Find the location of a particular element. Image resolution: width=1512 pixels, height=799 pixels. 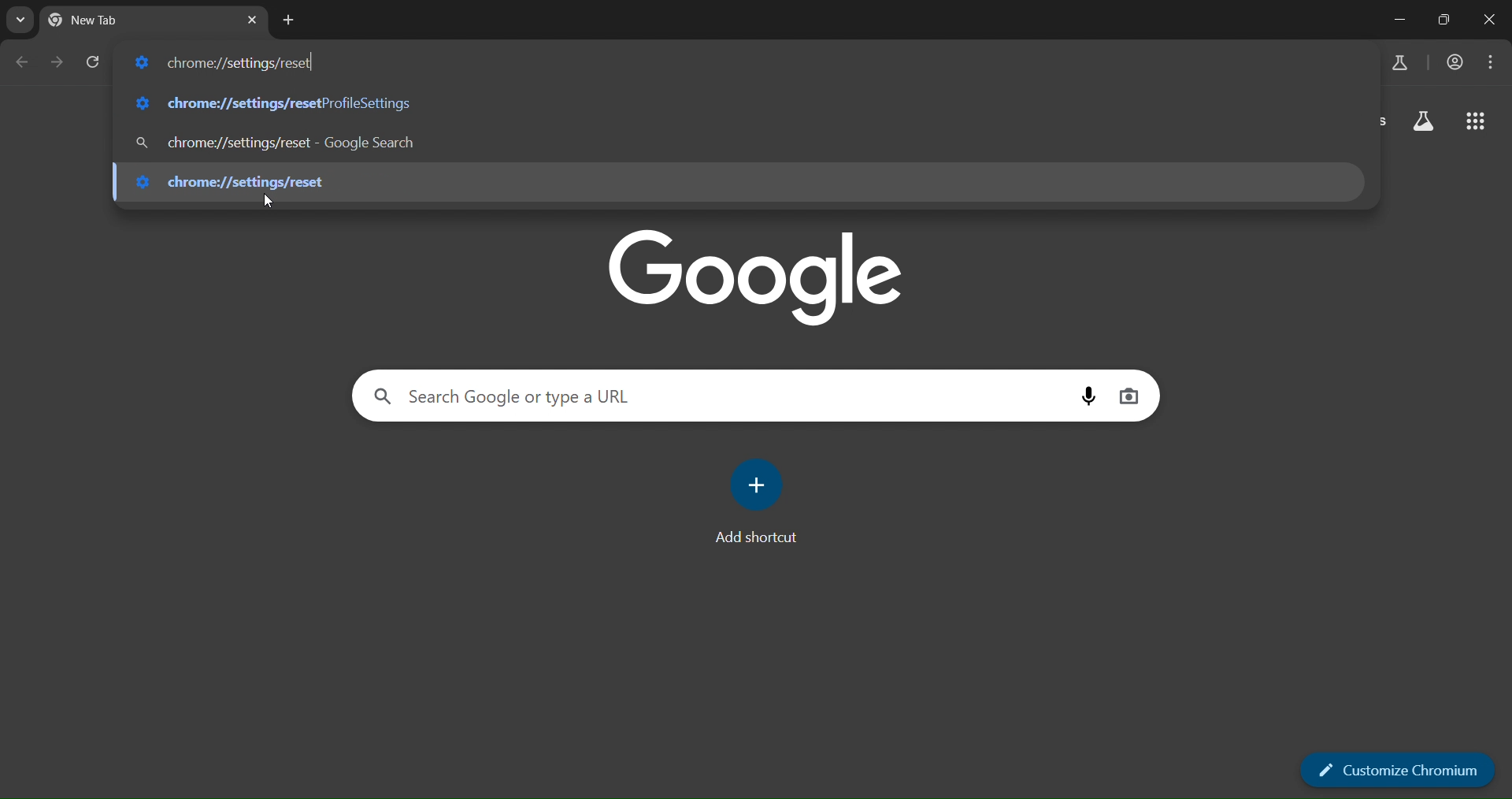

new tab is located at coordinates (289, 20).